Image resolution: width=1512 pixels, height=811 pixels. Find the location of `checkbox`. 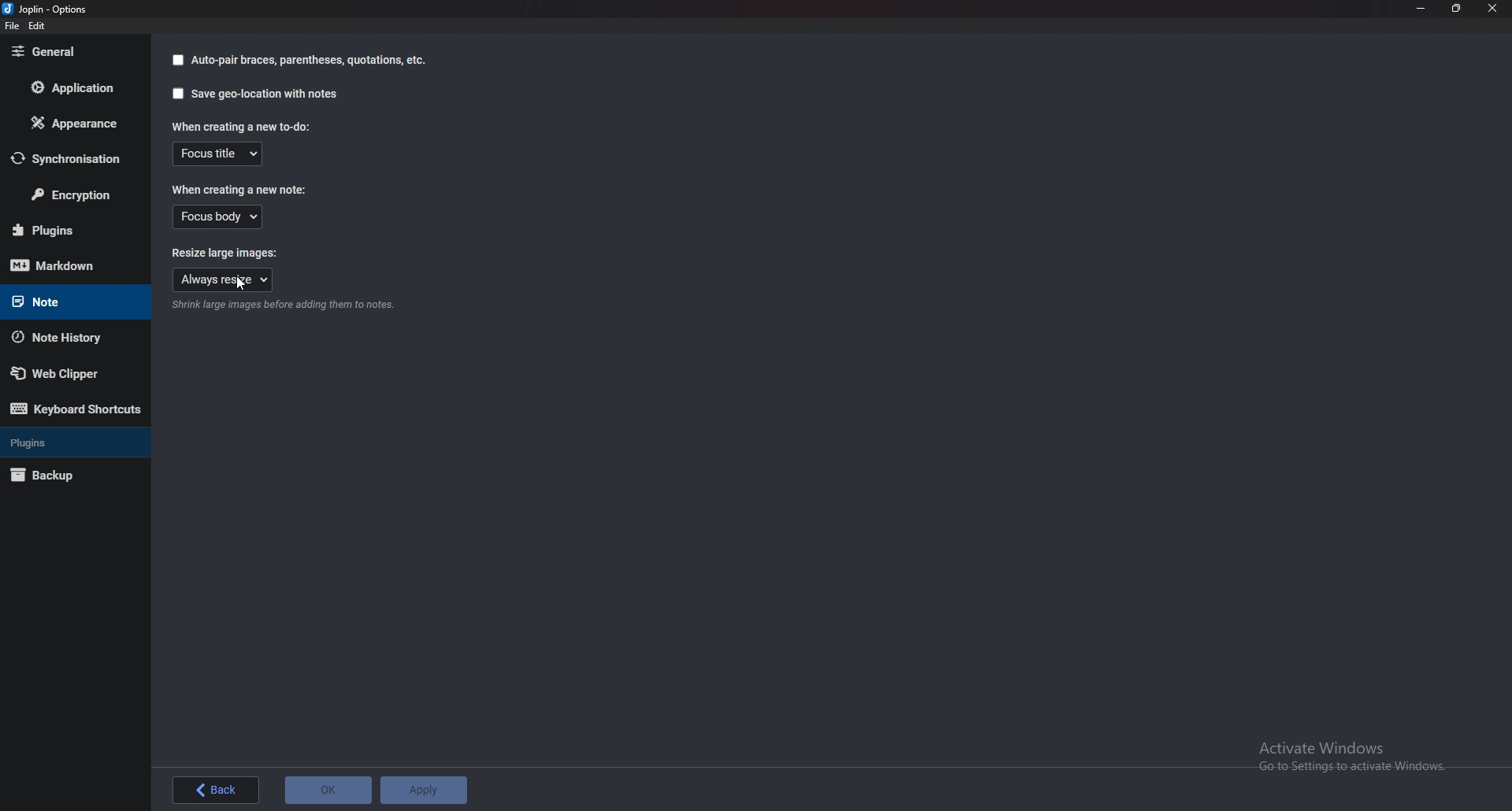

checkbox is located at coordinates (175, 60).